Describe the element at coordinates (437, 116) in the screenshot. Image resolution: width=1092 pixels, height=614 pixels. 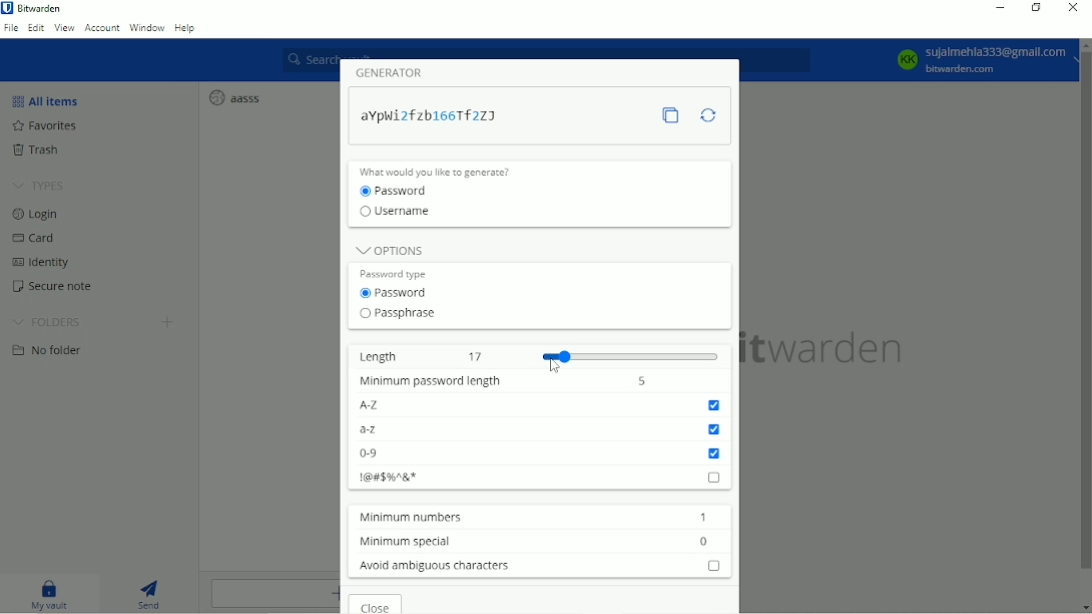
I see `Password` at that location.